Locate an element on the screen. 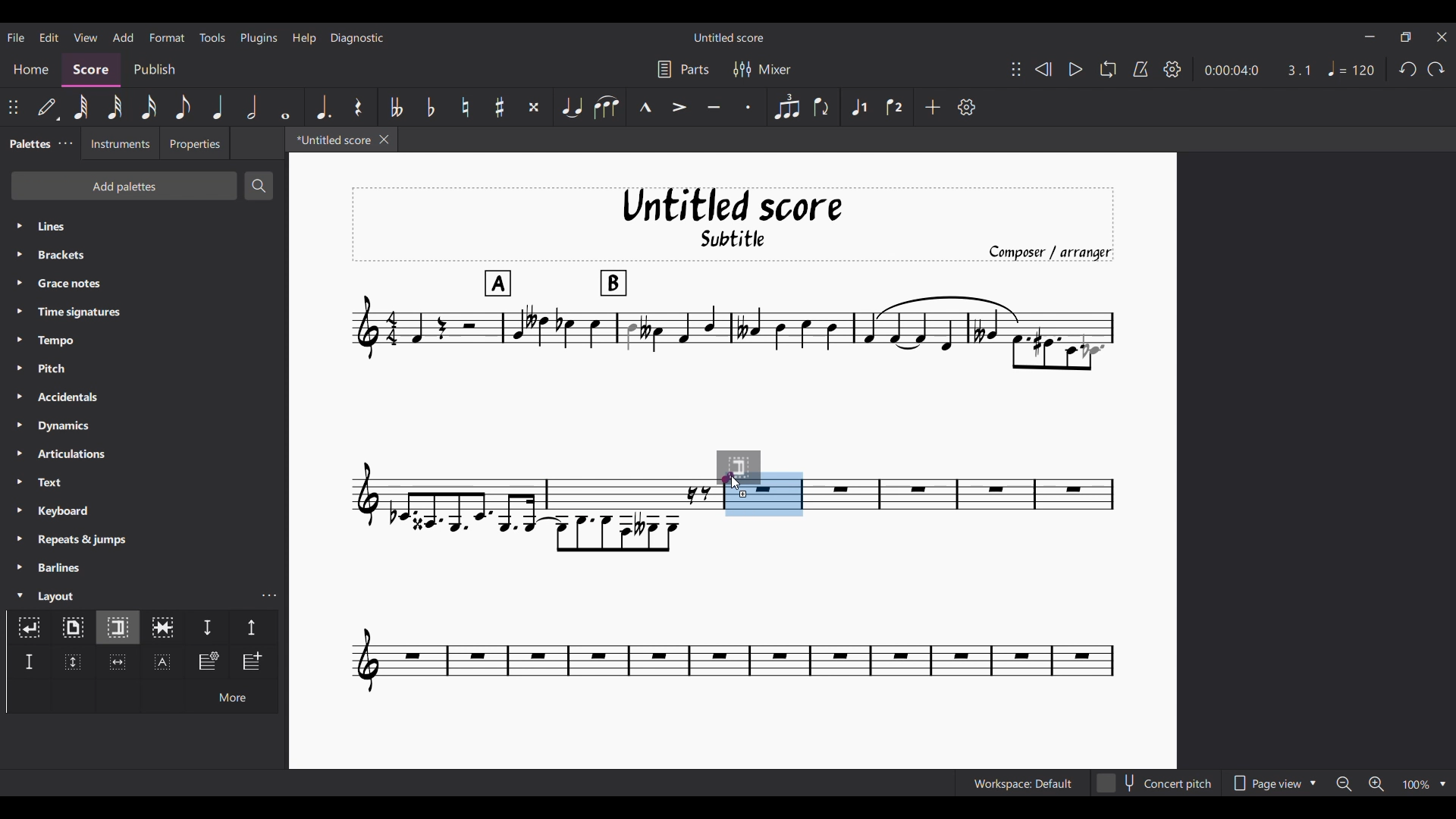 The image size is (1456, 819). Rest is located at coordinates (359, 107).